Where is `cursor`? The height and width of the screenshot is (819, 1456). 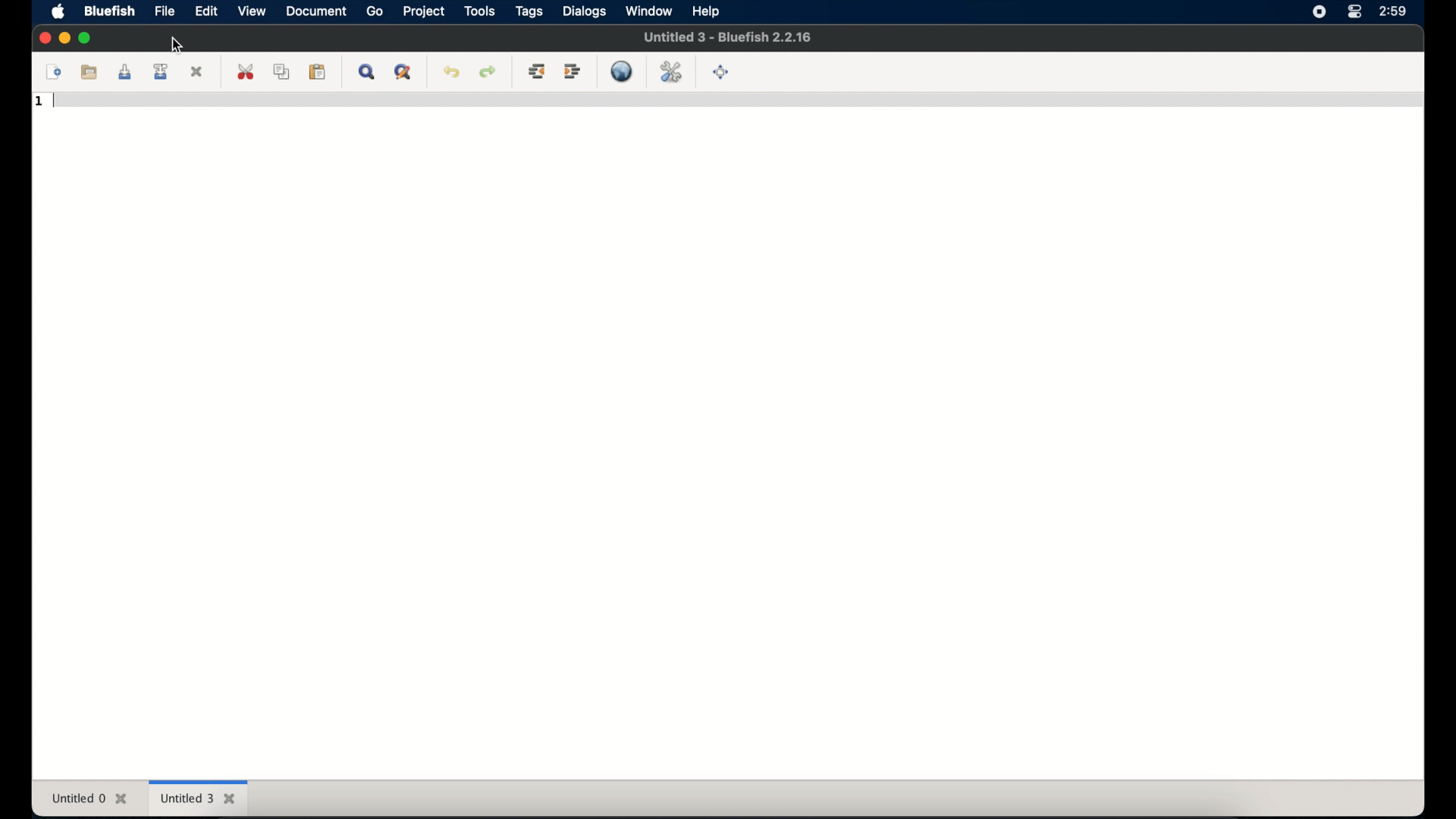
cursor is located at coordinates (177, 45).